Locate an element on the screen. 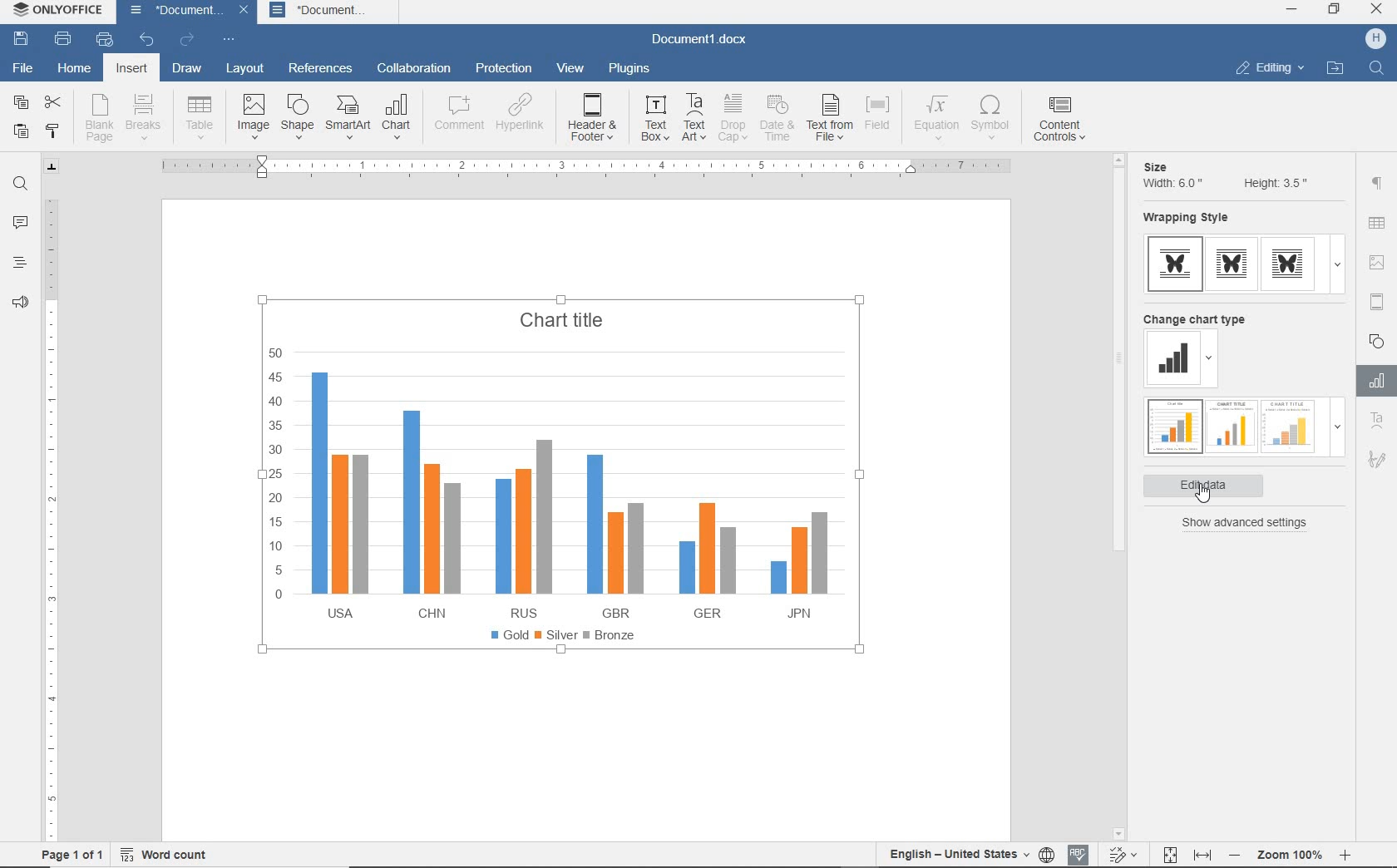  customize quick access toolbar is located at coordinates (230, 42).